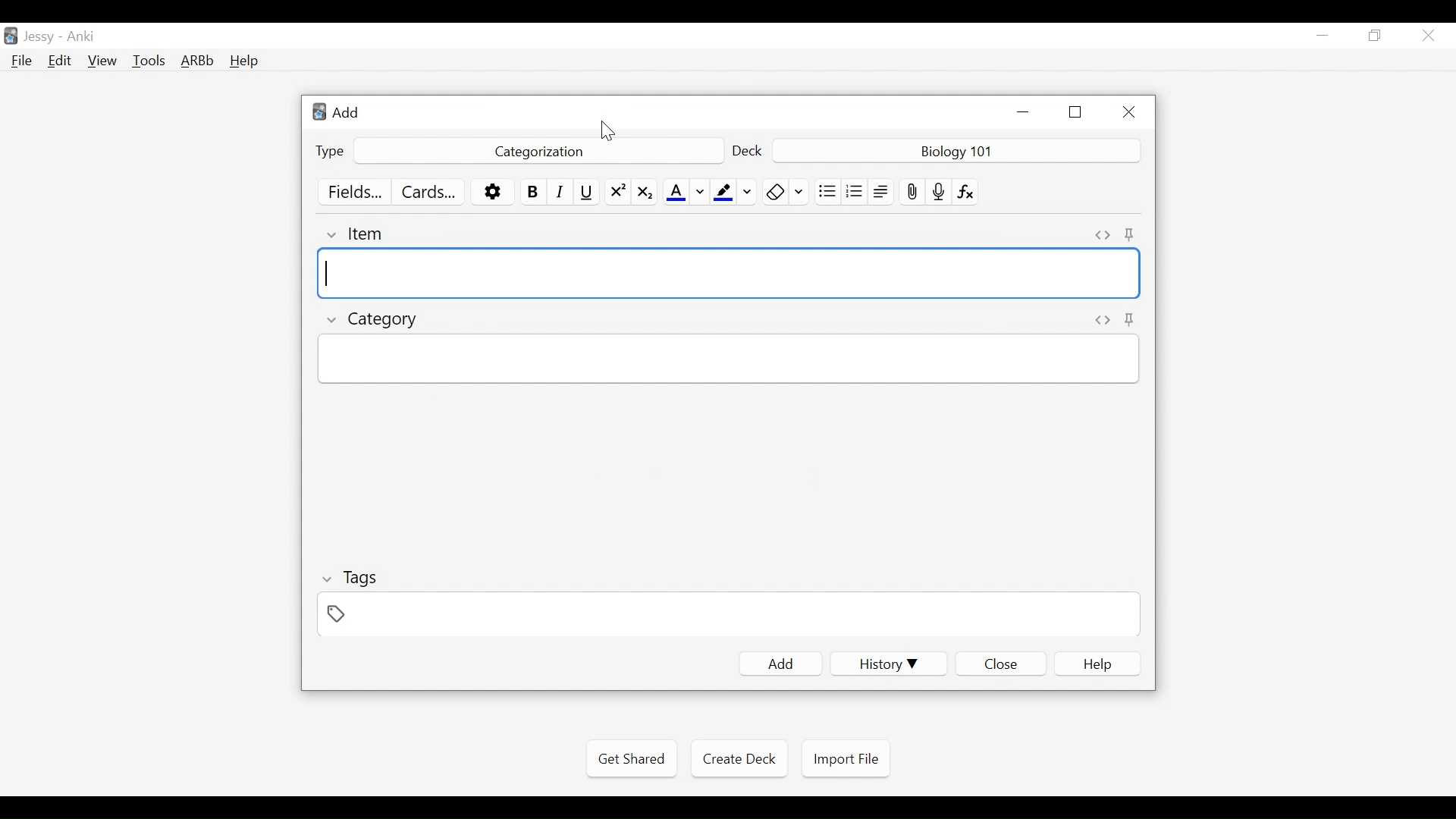  What do you see at coordinates (198, 61) in the screenshot?
I see `Advanced Review Button bar` at bounding box center [198, 61].